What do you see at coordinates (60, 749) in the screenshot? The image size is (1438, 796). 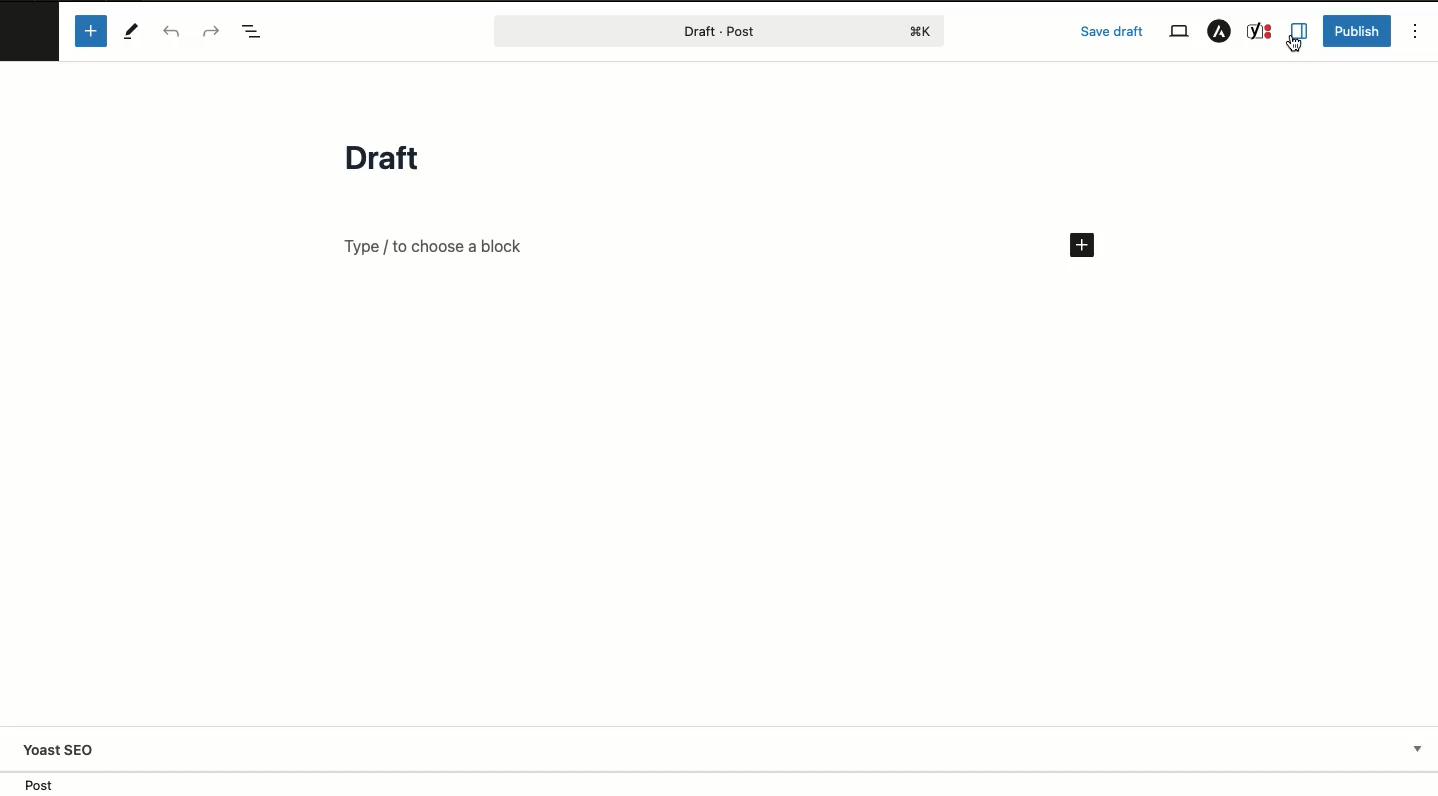 I see `Yoast SEO` at bounding box center [60, 749].